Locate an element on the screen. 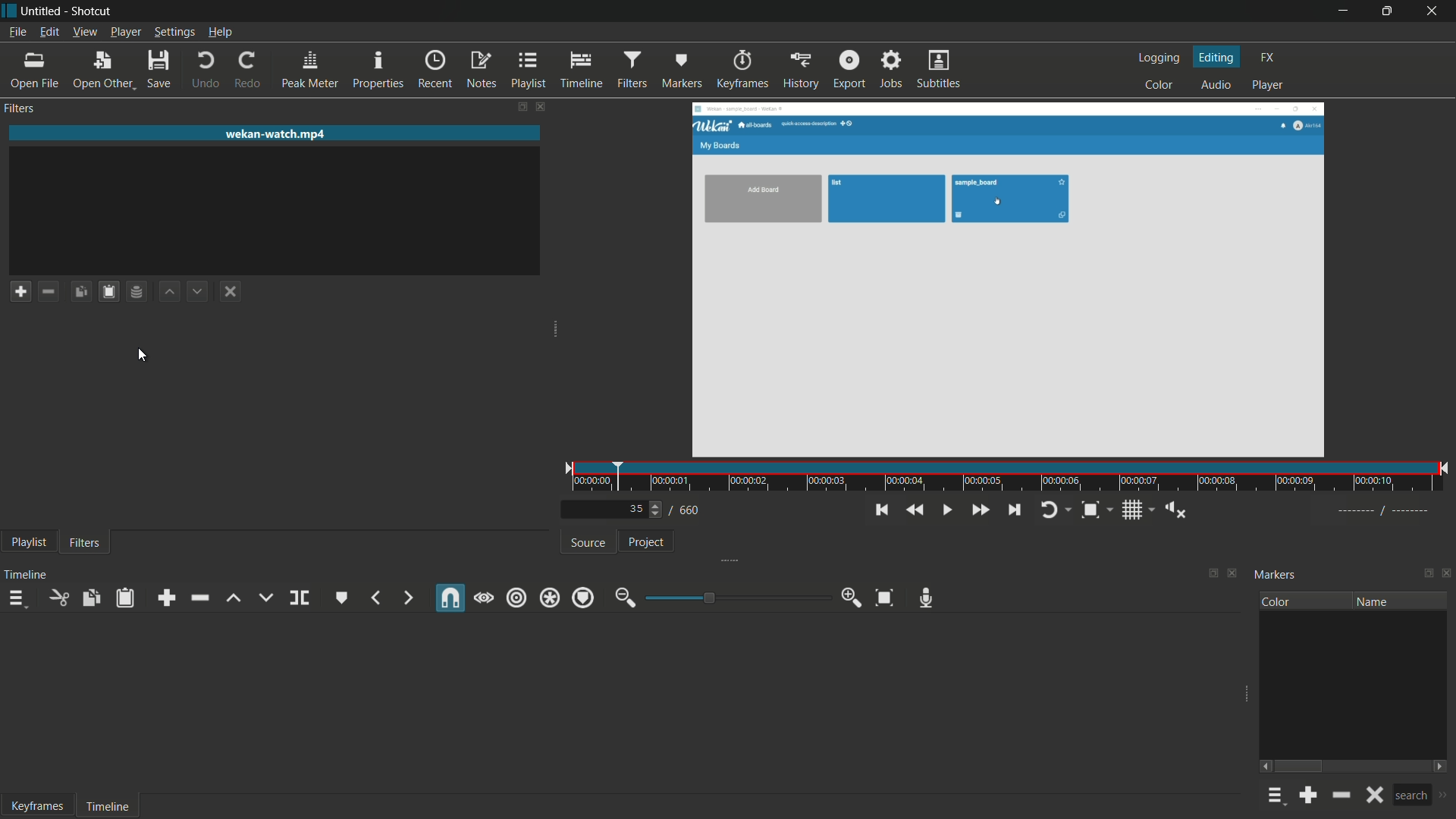 The height and width of the screenshot is (819, 1456). help menu is located at coordinates (221, 32).